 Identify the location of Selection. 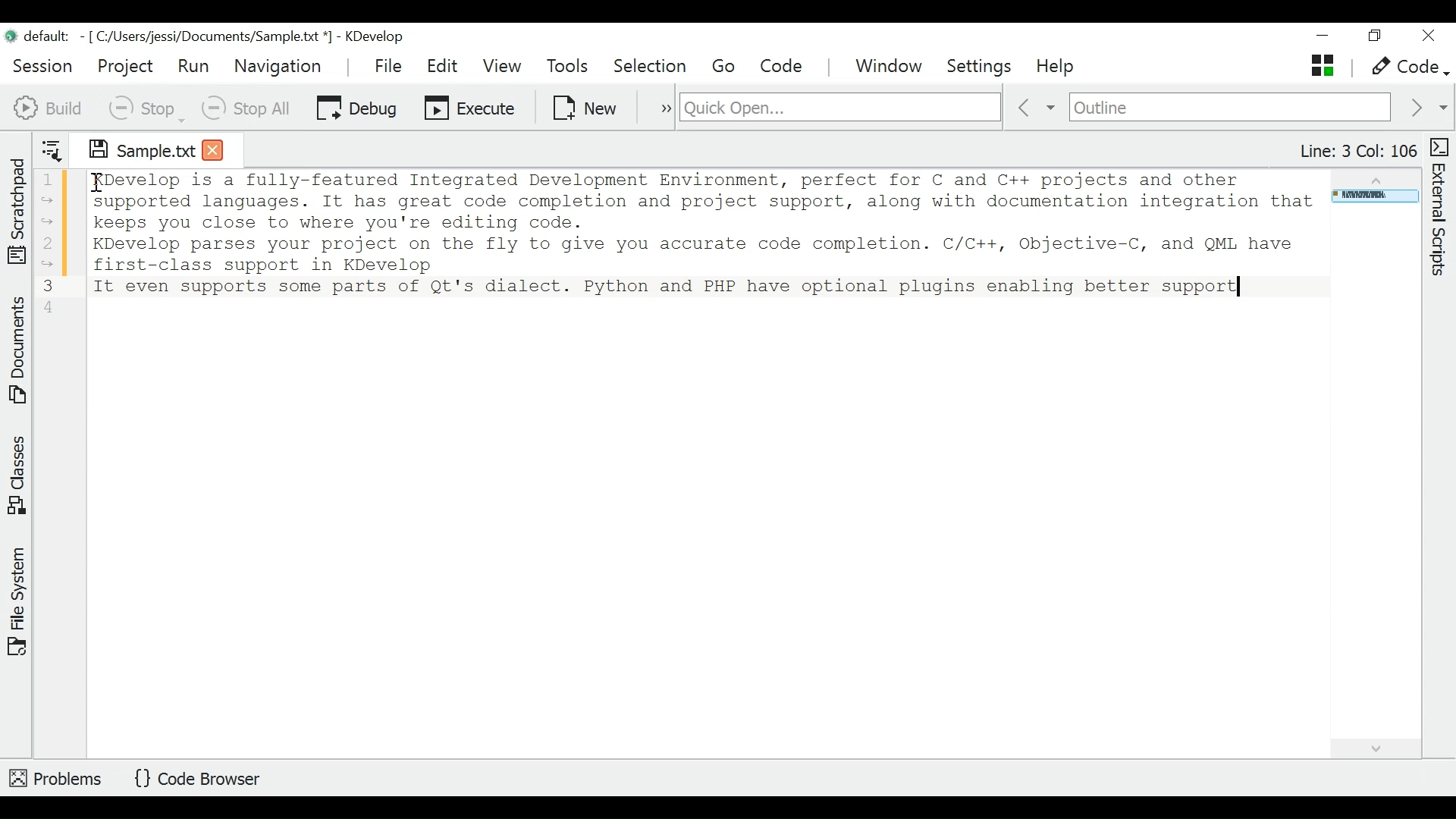
(651, 67).